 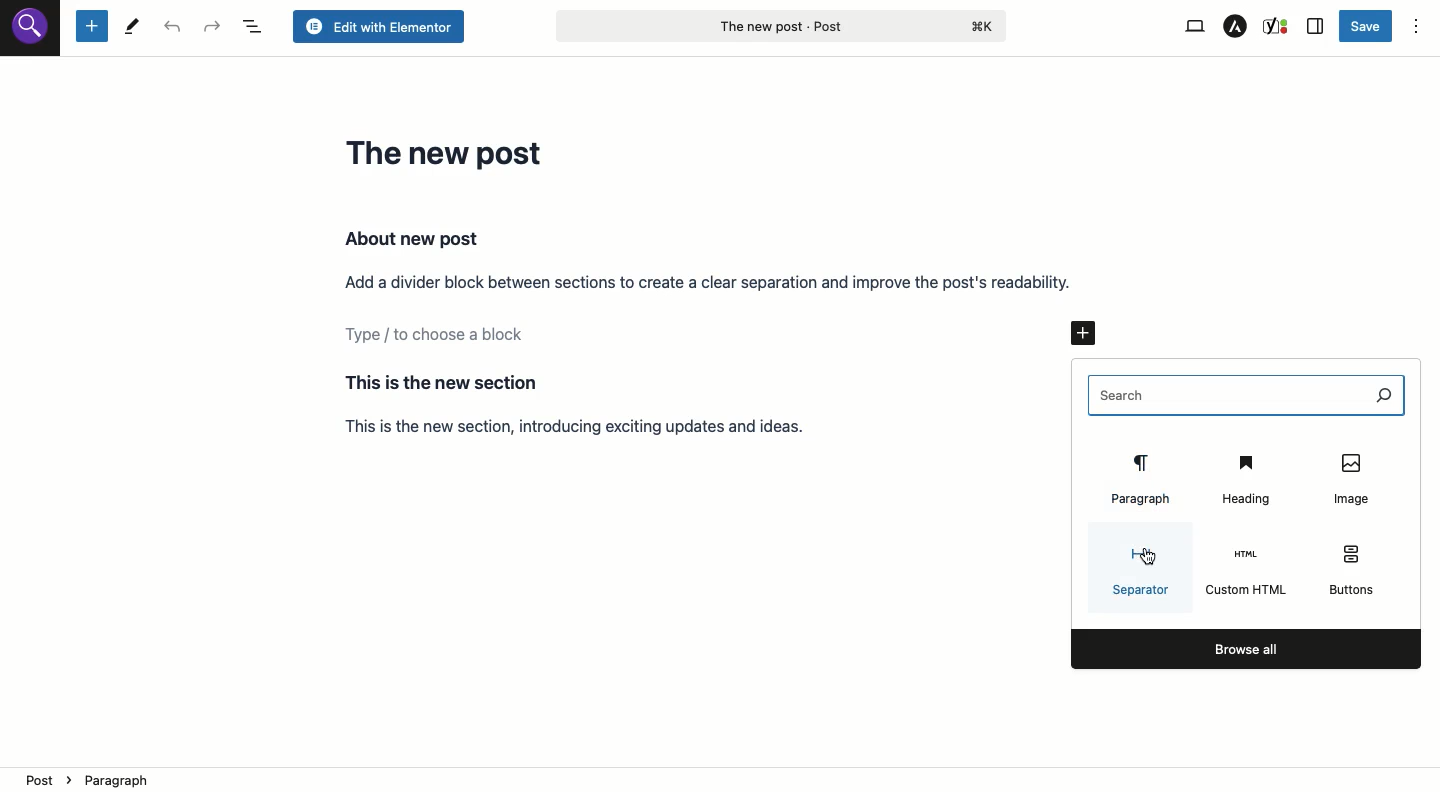 I want to click on Post, so click(x=780, y=25).